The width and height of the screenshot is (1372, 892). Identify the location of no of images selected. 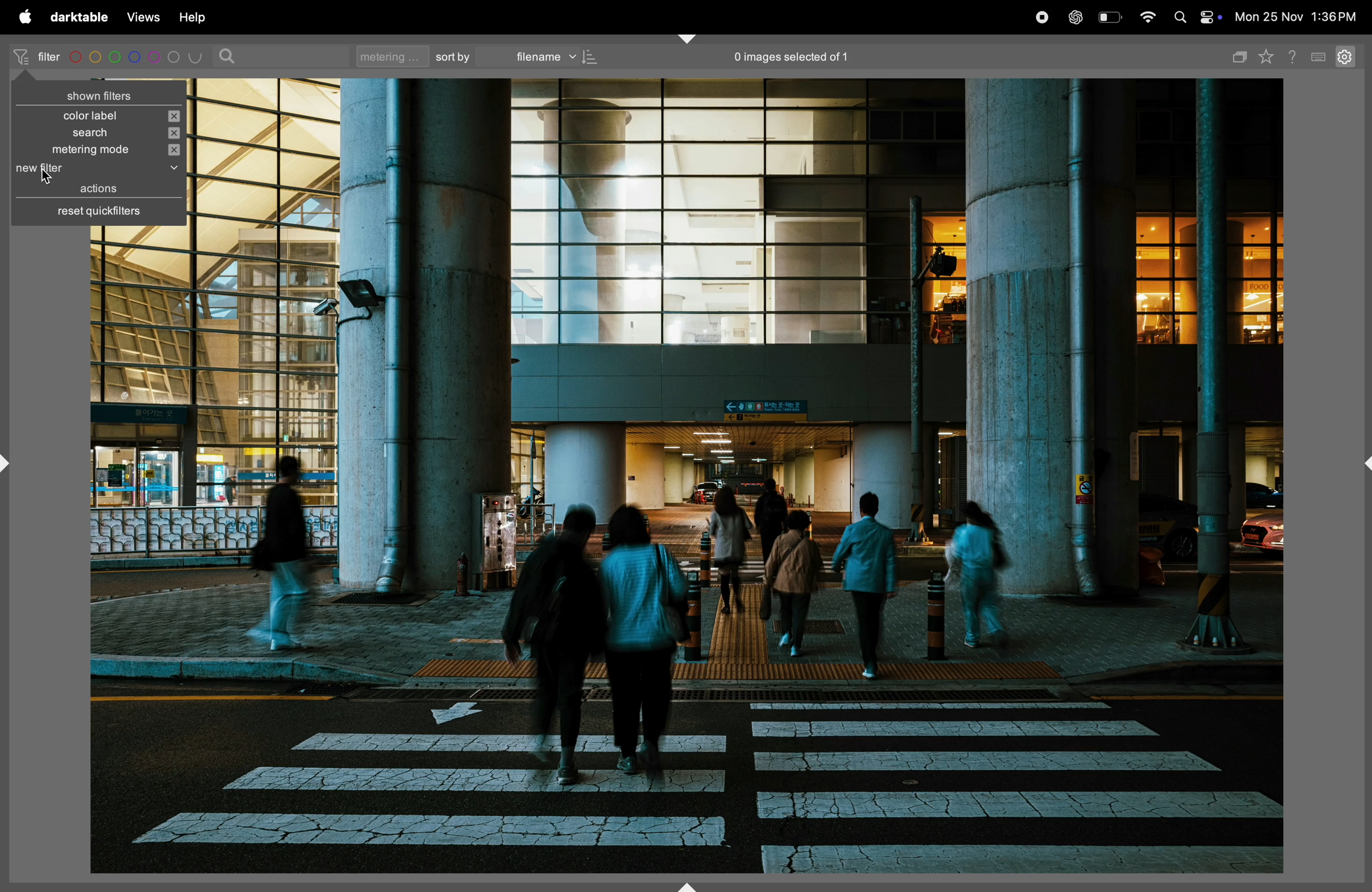
(790, 58).